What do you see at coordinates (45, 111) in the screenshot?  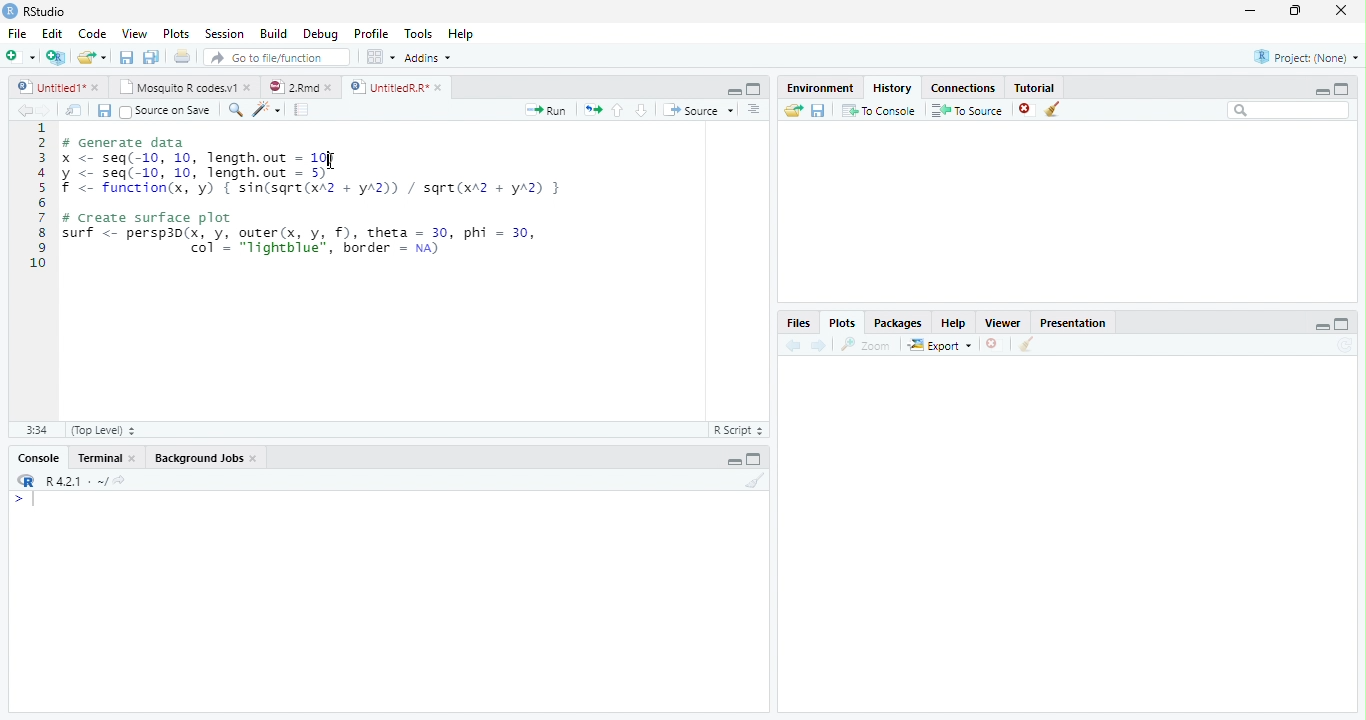 I see `Go forward to next source location` at bounding box center [45, 111].